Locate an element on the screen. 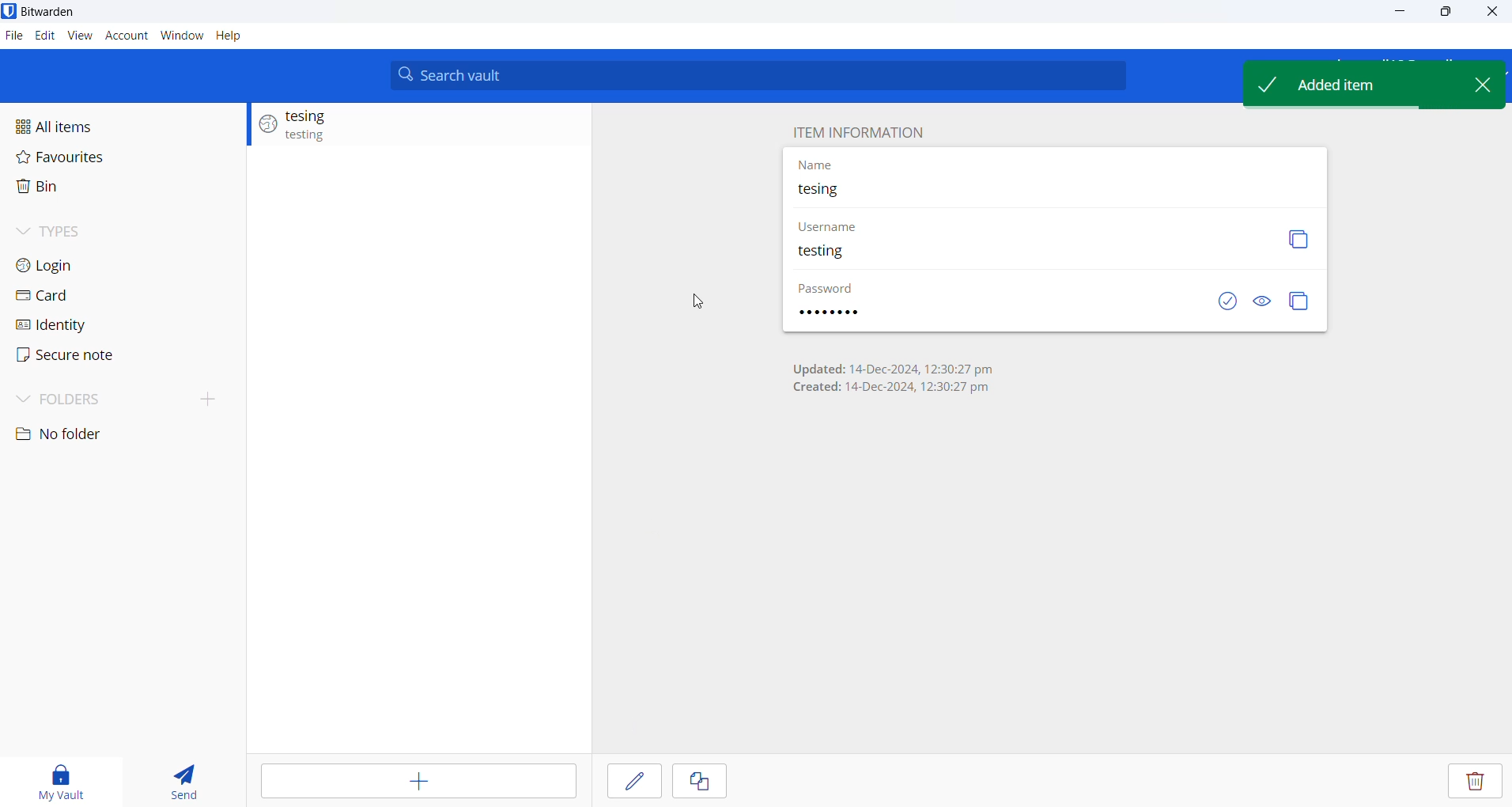 Image resolution: width=1512 pixels, height=807 pixels. my vault is located at coordinates (64, 779).